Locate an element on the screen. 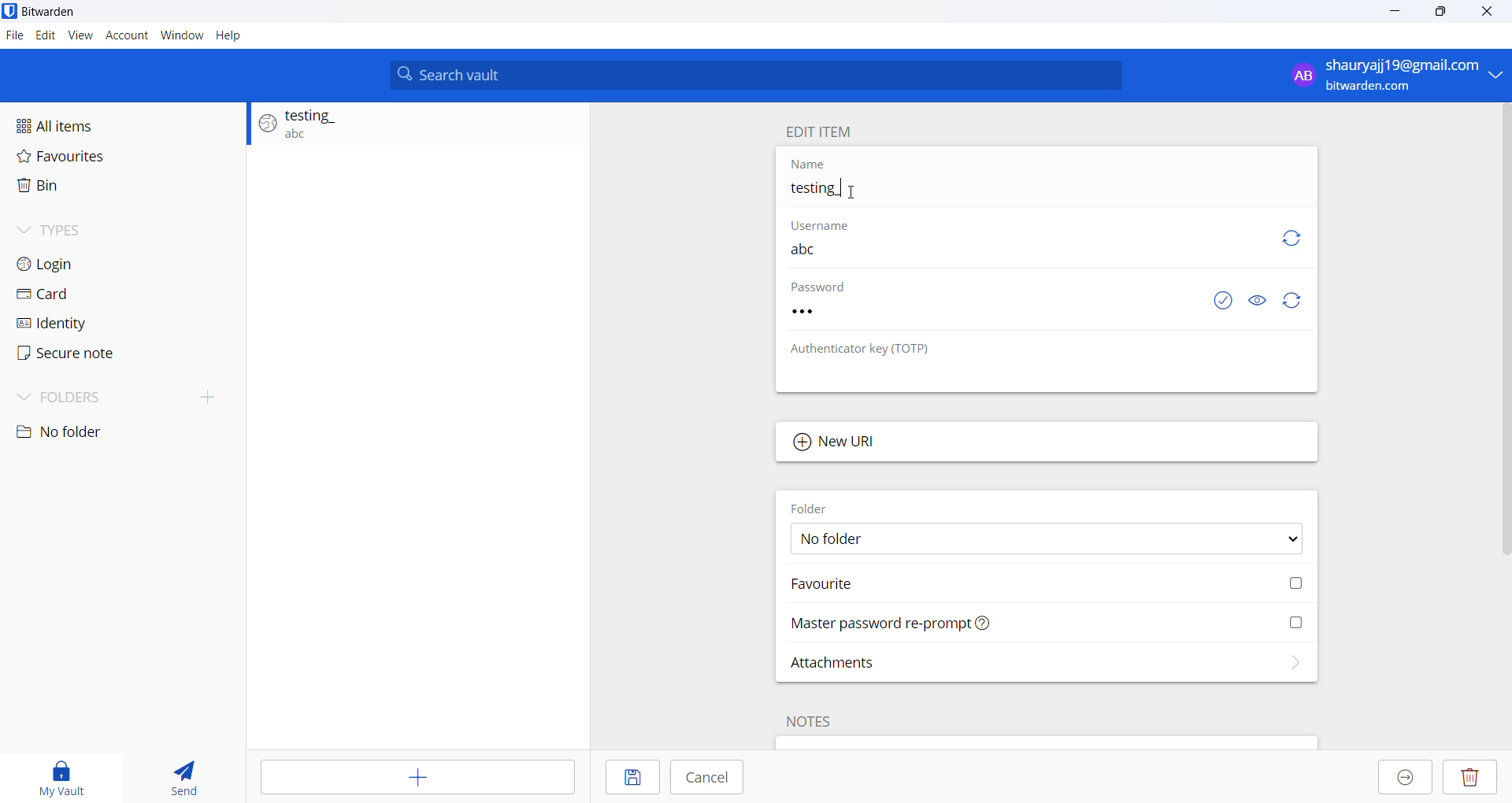 This screenshot has height=803, width=1512. Delete is located at coordinates (1469, 779).